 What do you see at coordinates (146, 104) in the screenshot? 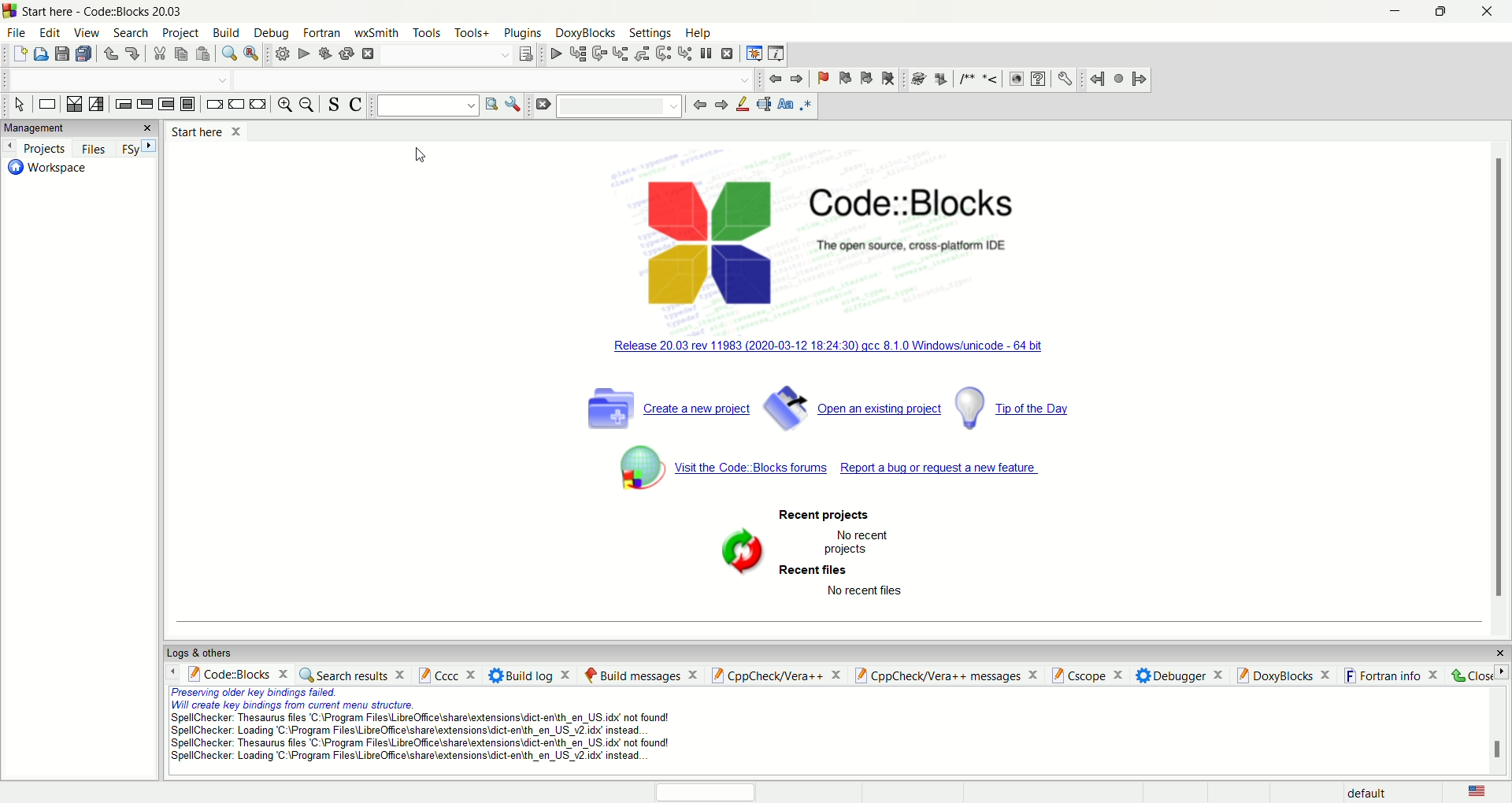
I see `exit condition loop` at bounding box center [146, 104].